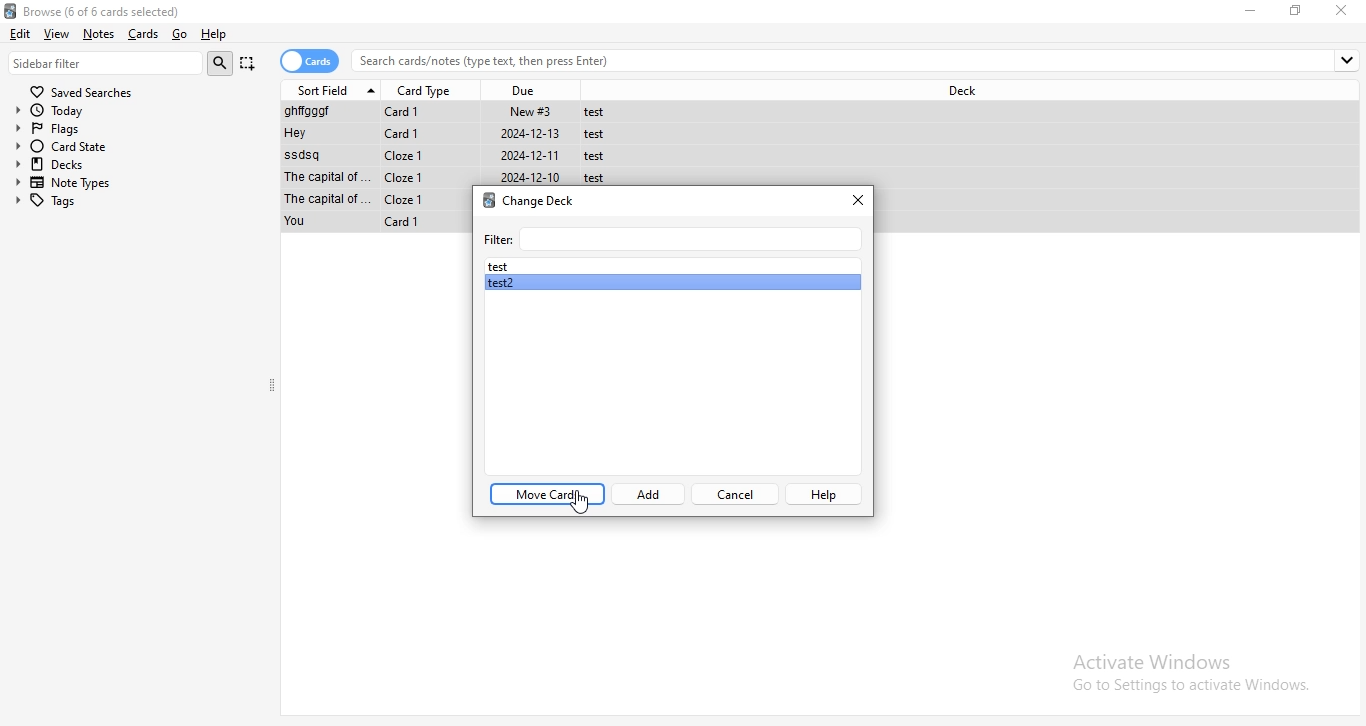 Image resolution: width=1366 pixels, height=726 pixels. I want to click on Browse (0 of 6 cards selected), so click(111, 10).